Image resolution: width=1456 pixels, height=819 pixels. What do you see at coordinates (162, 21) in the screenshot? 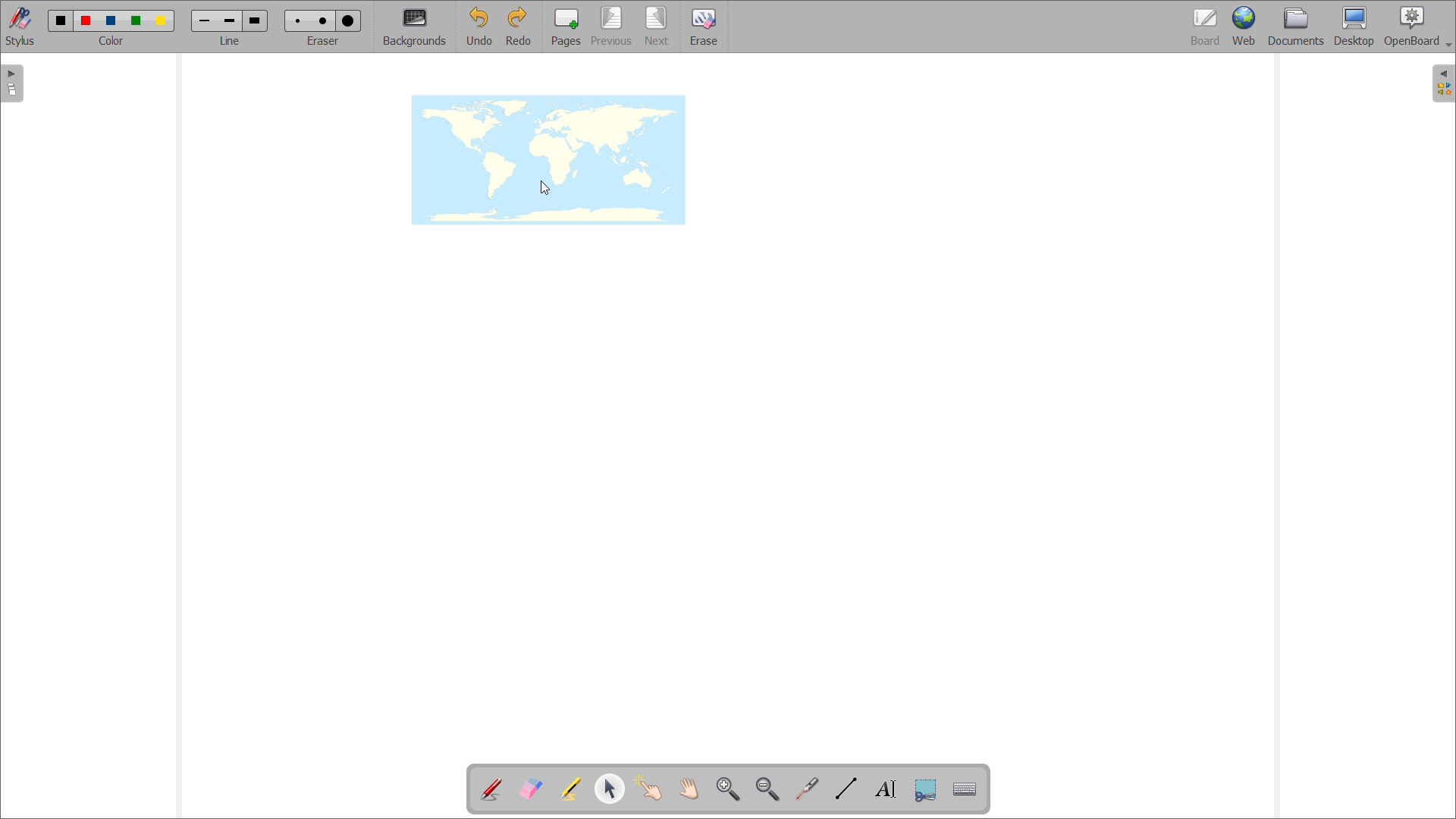
I see `yellow` at bounding box center [162, 21].